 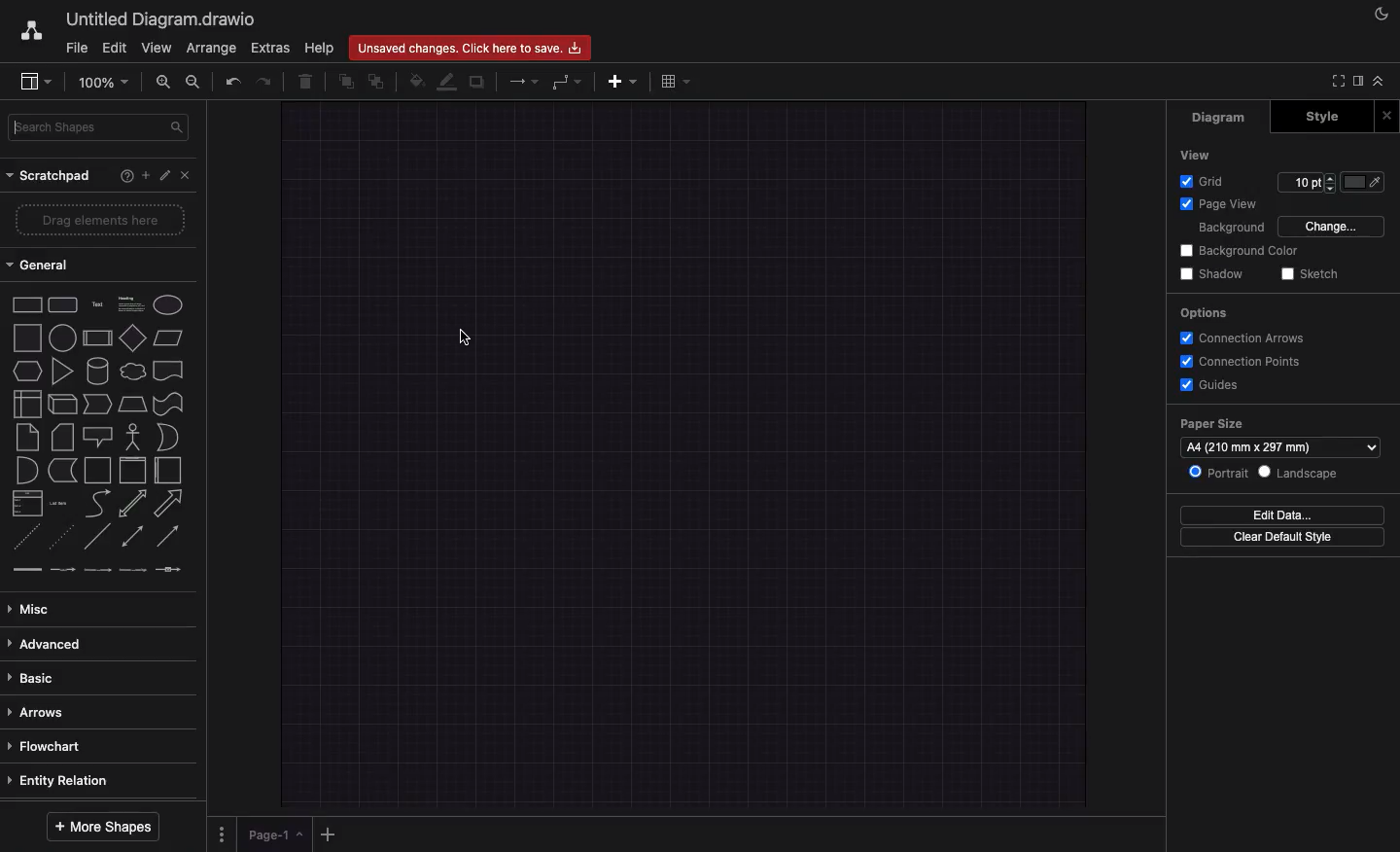 What do you see at coordinates (320, 48) in the screenshot?
I see `Help` at bounding box center [320, 48].